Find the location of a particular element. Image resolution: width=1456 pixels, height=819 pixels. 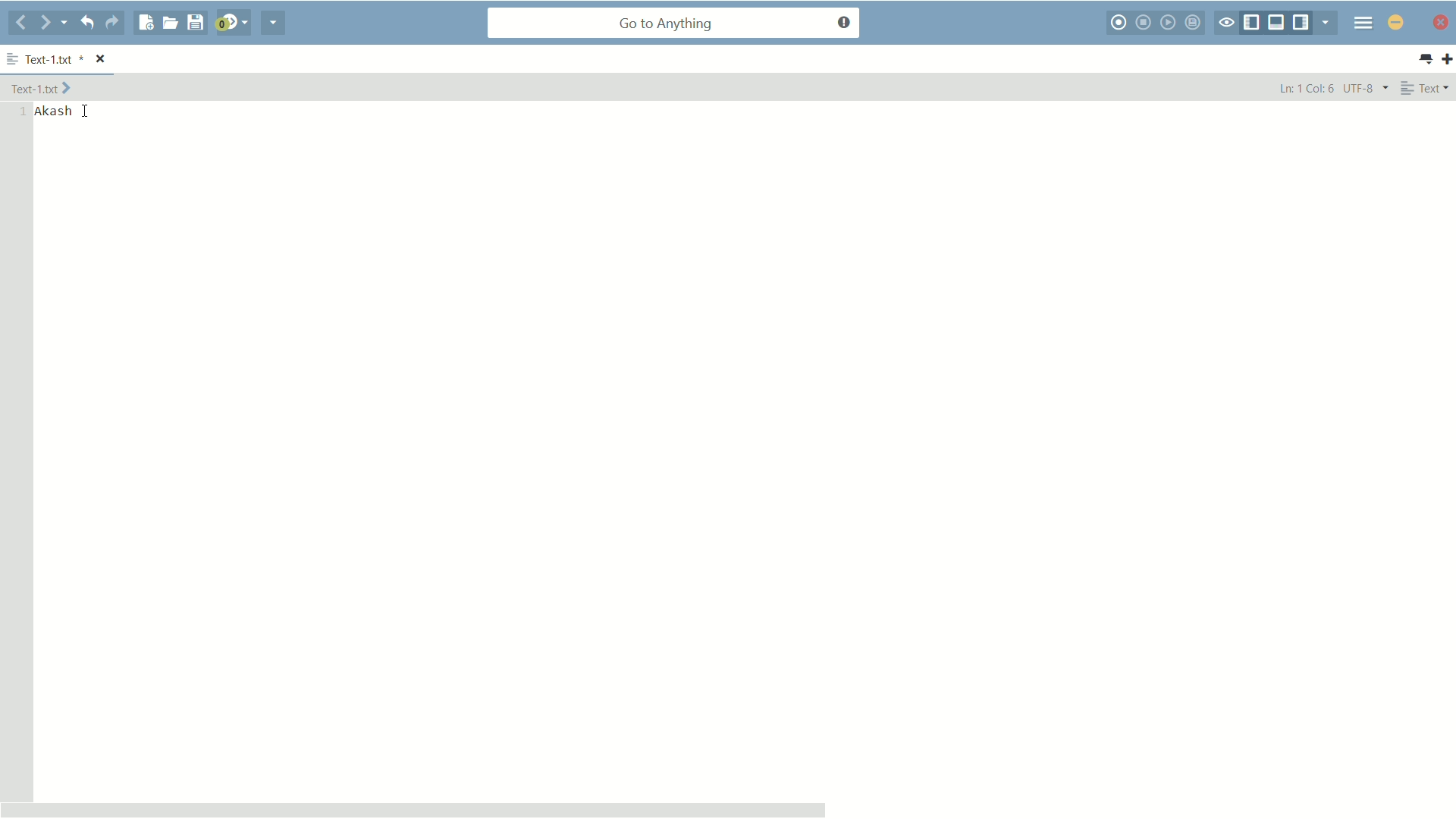

show specific sidebar/tab is located at coordinates (1329, 23).